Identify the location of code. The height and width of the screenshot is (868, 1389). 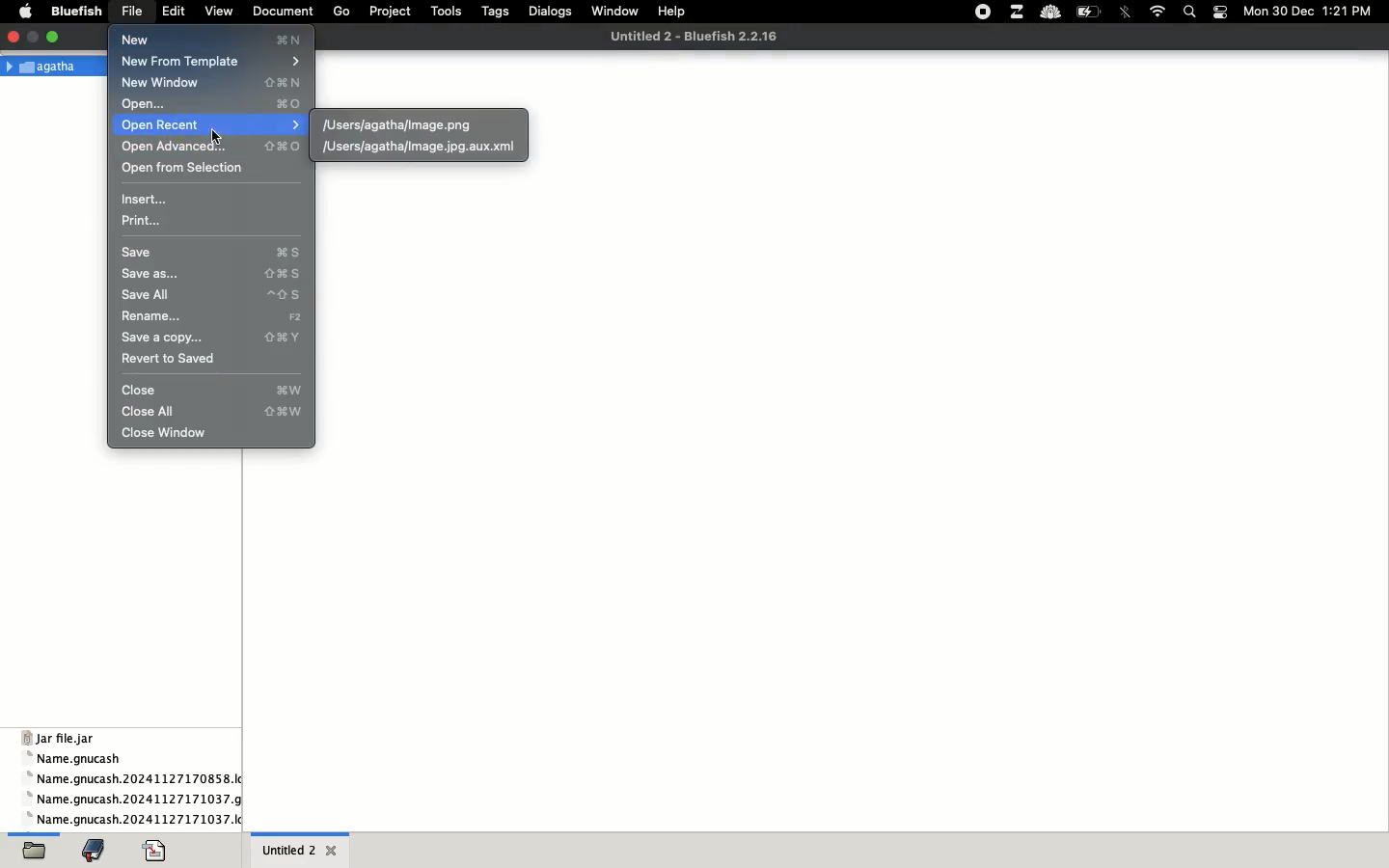
(155, 851).